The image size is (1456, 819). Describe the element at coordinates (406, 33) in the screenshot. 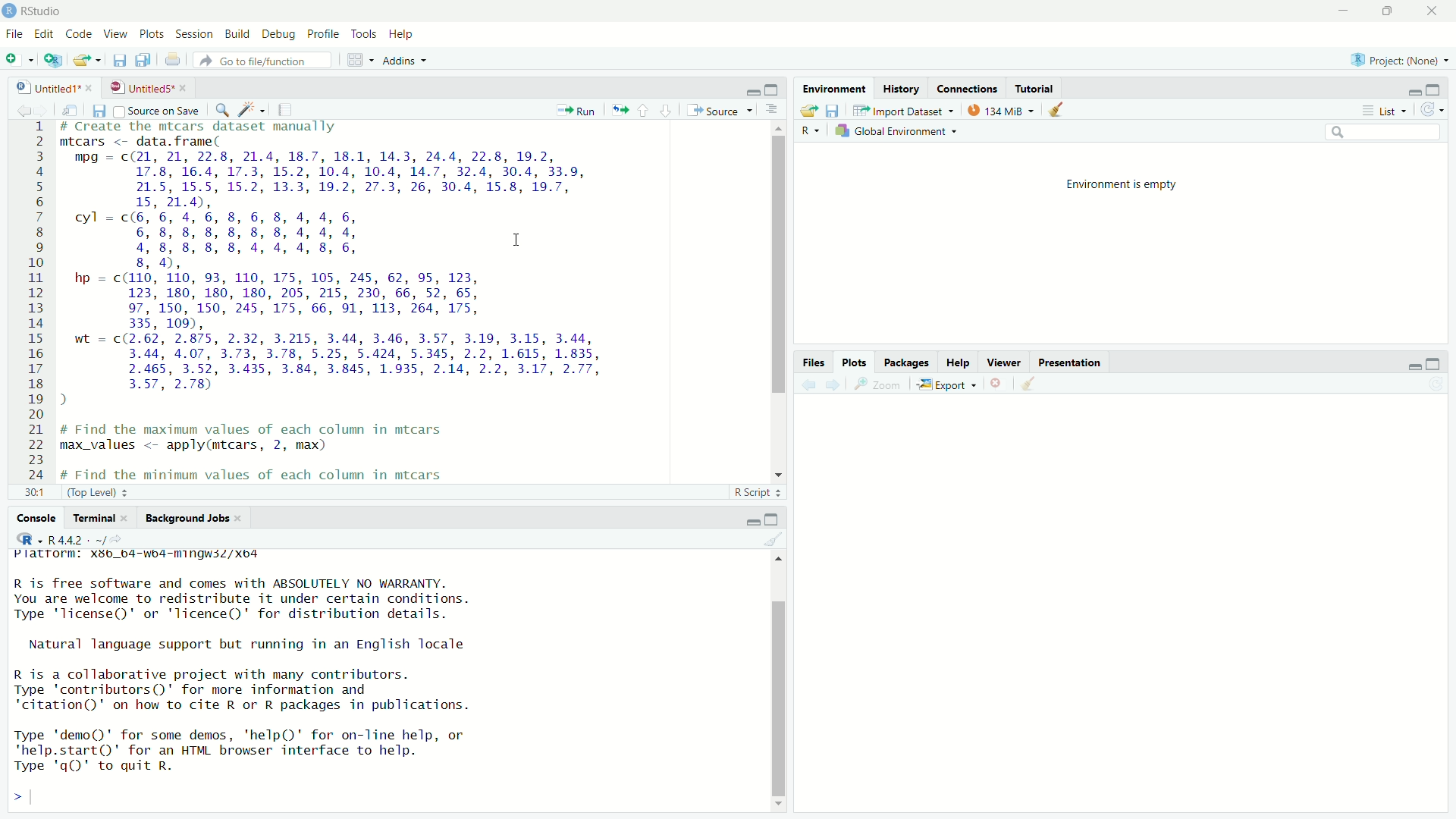

I see `Help` at that location.